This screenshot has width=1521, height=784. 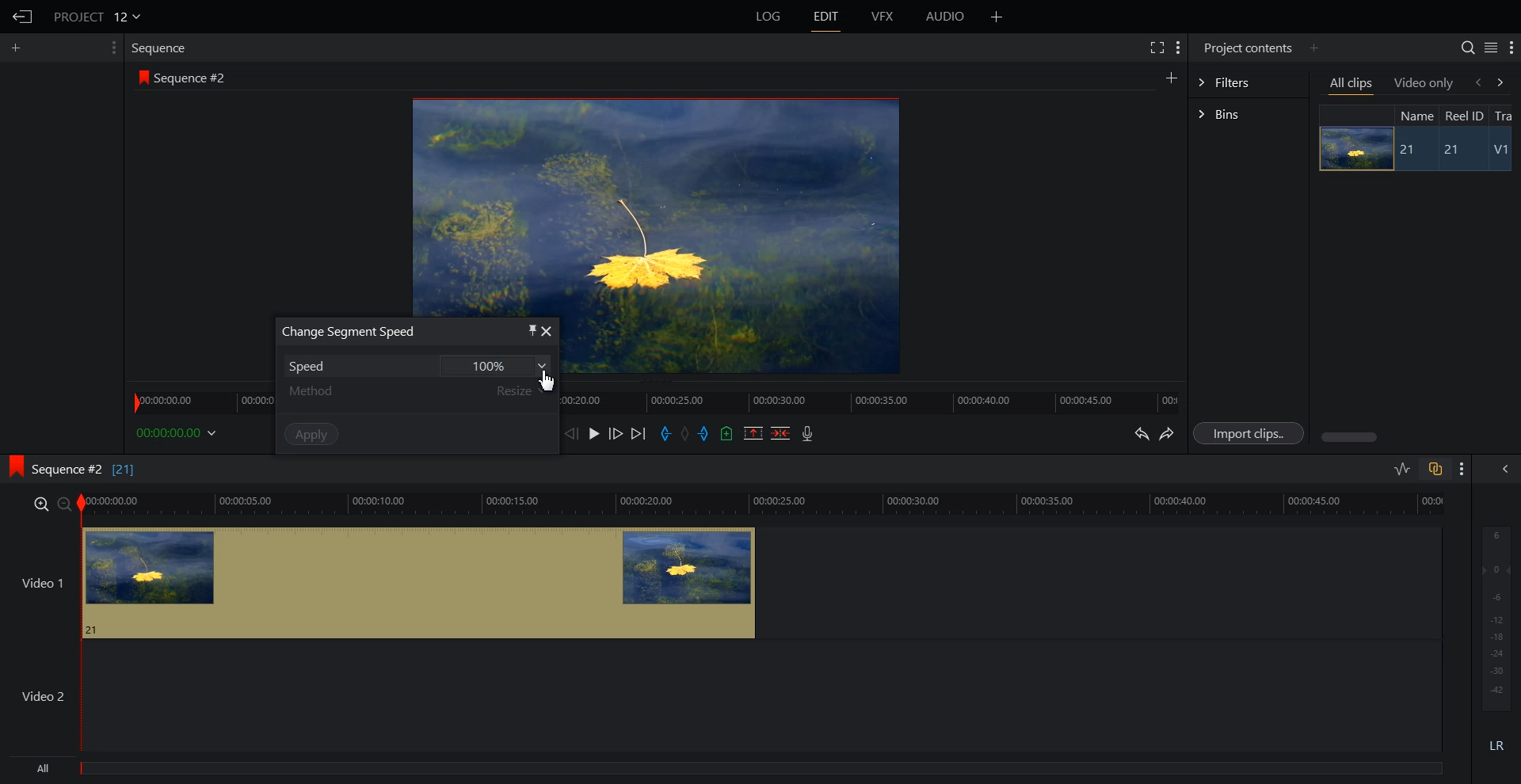 What do you see at coordinates (549, 331) in the screenshot?
I see `close` at bounding box center [549, 331].